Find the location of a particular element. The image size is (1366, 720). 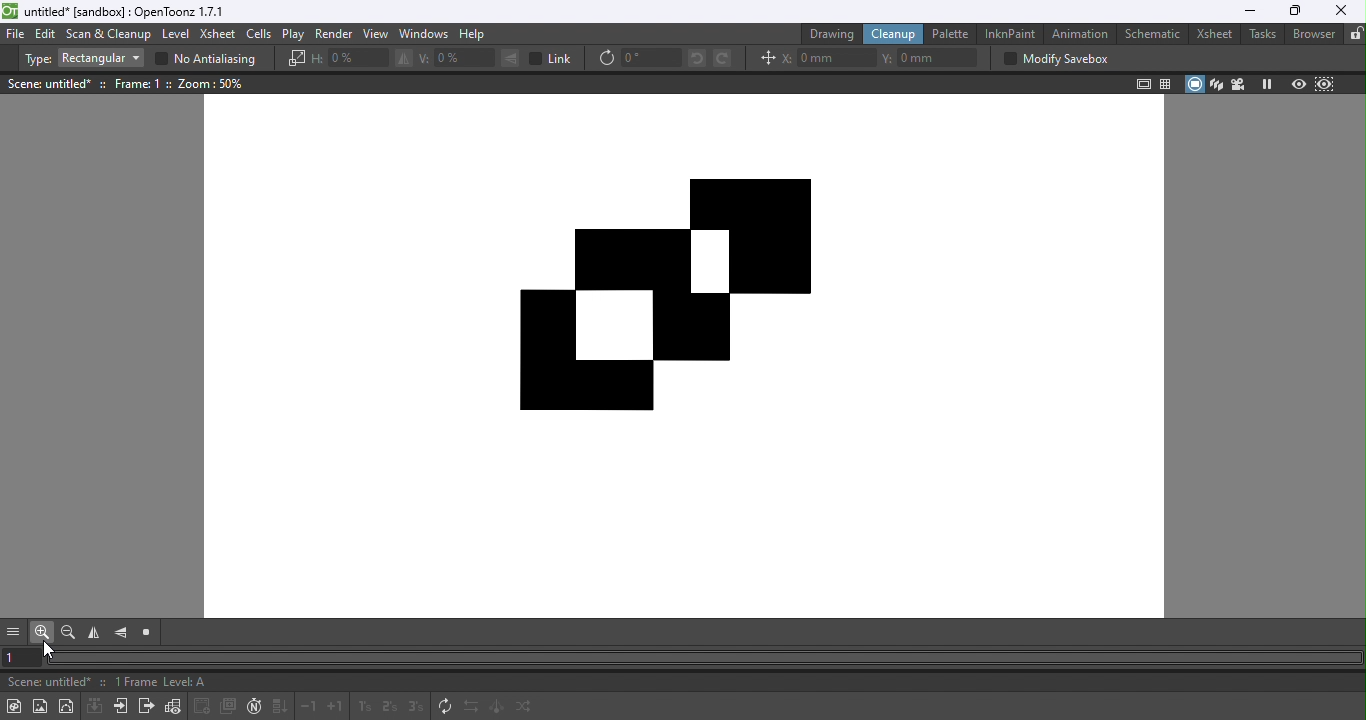

Flip selection horizontally is located at coordinates (362, 59).